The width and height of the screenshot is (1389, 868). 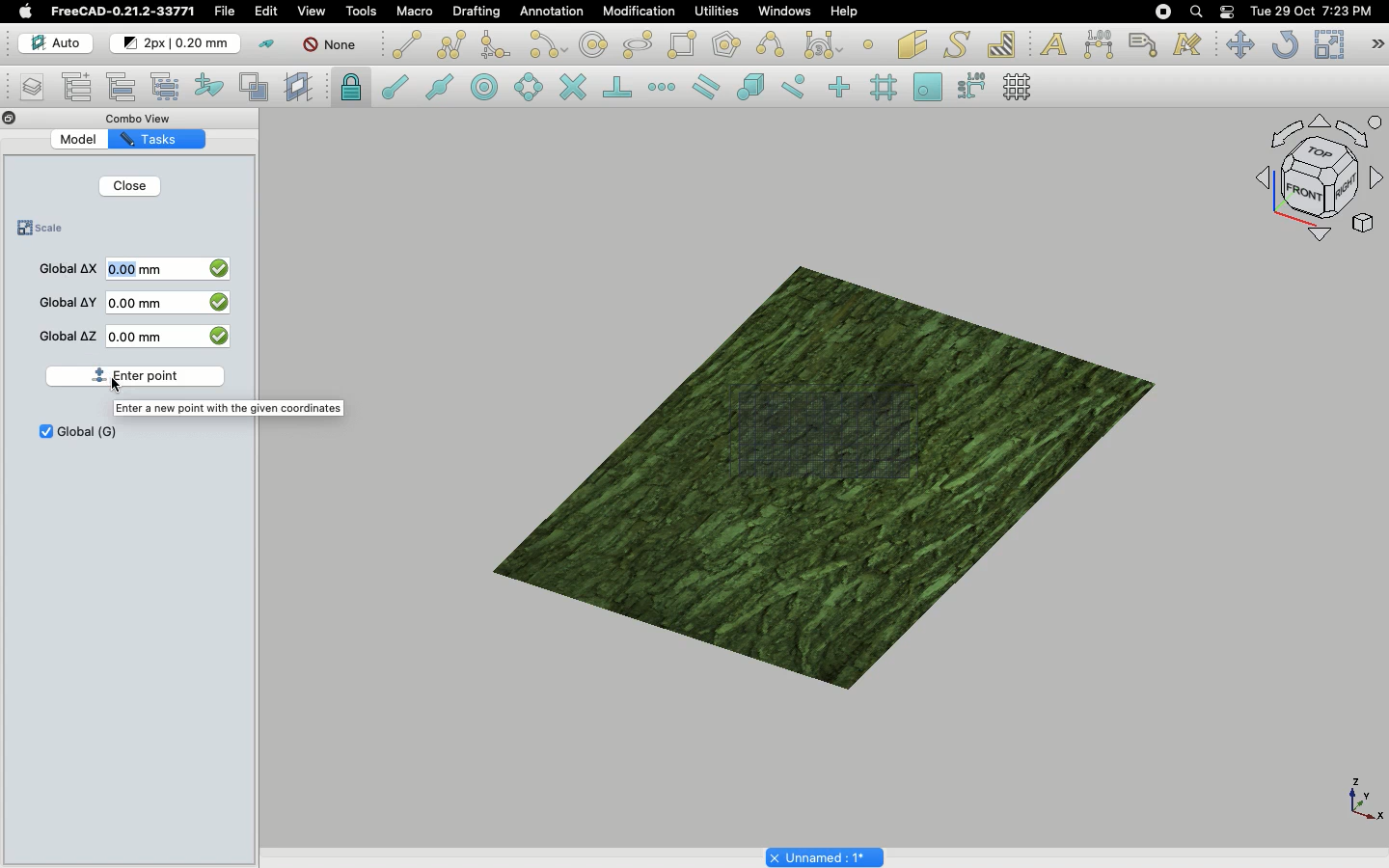 I want to click on Fillet, so click(x=495, y=45).